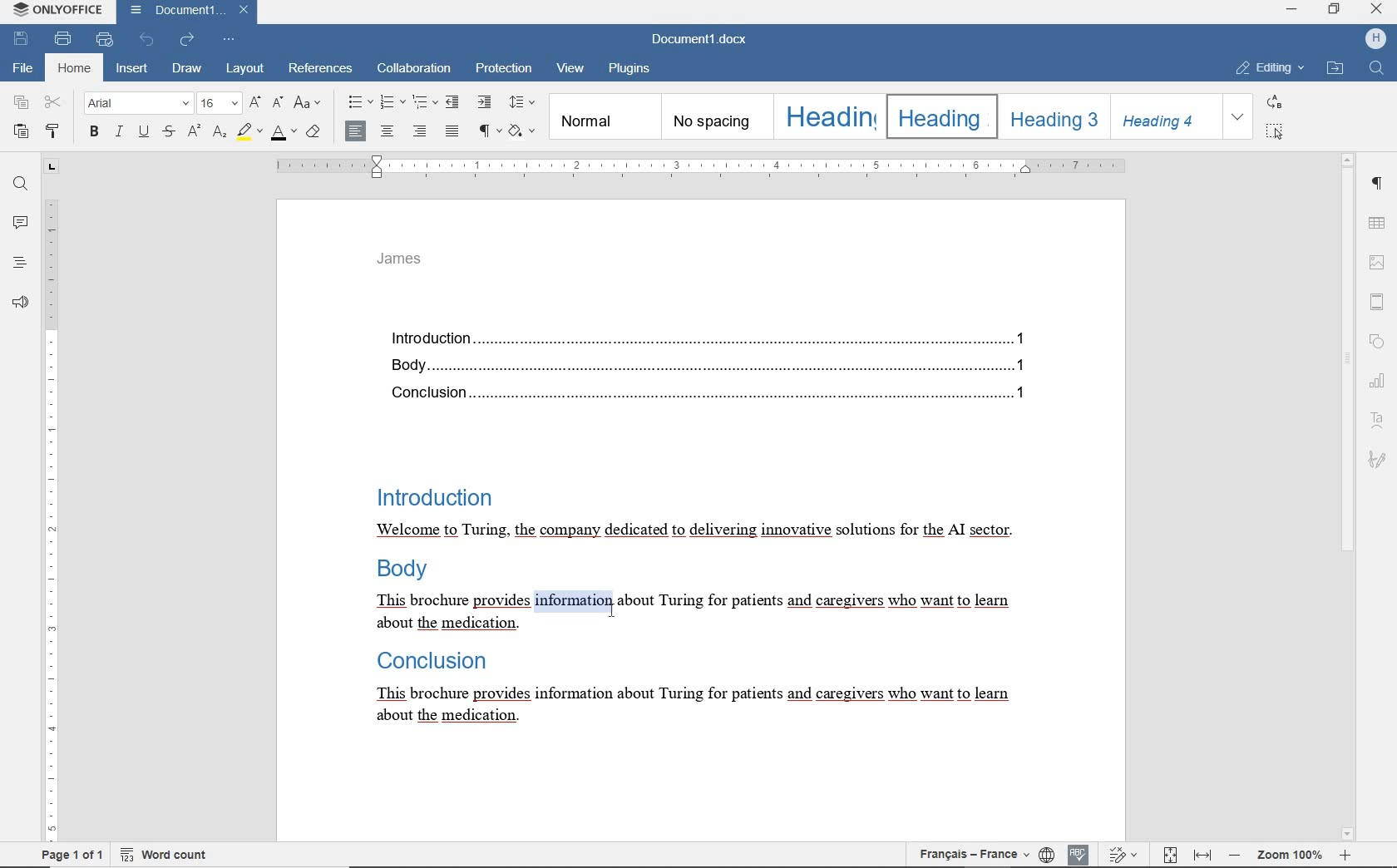 This screenshot has height=868, width=1397. I want to click on TEXT LANGUAGE, so click(975, 854).